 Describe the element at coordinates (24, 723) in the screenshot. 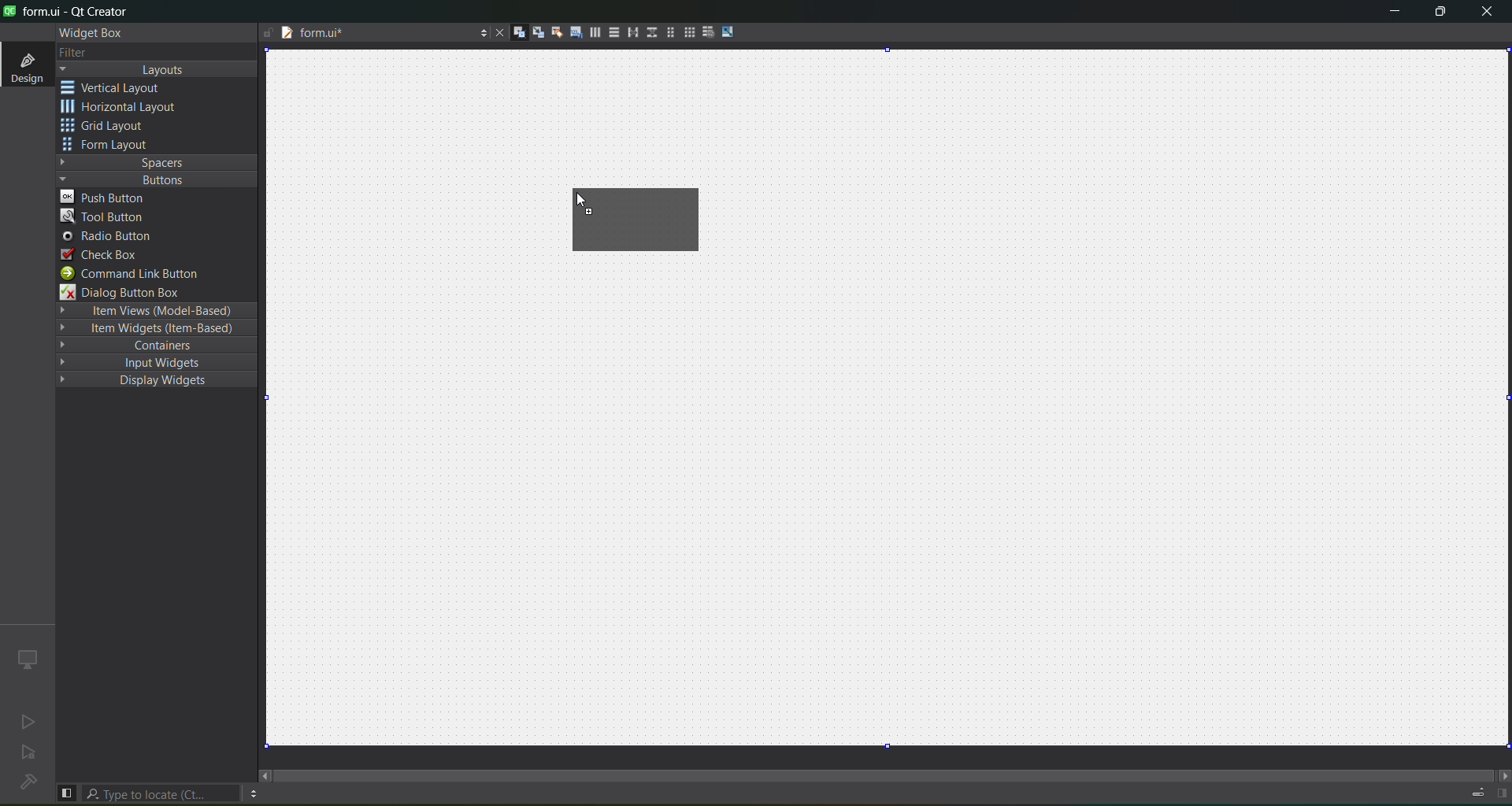

I see `no active` at that location.